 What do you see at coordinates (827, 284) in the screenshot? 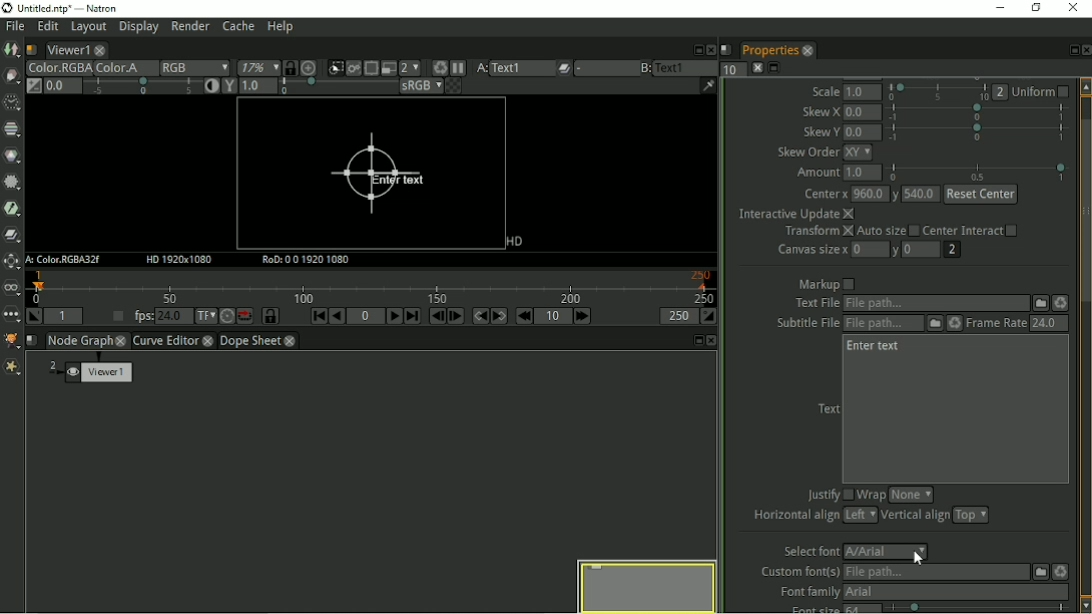
I see `Markup` at bounding box center [827, 284].